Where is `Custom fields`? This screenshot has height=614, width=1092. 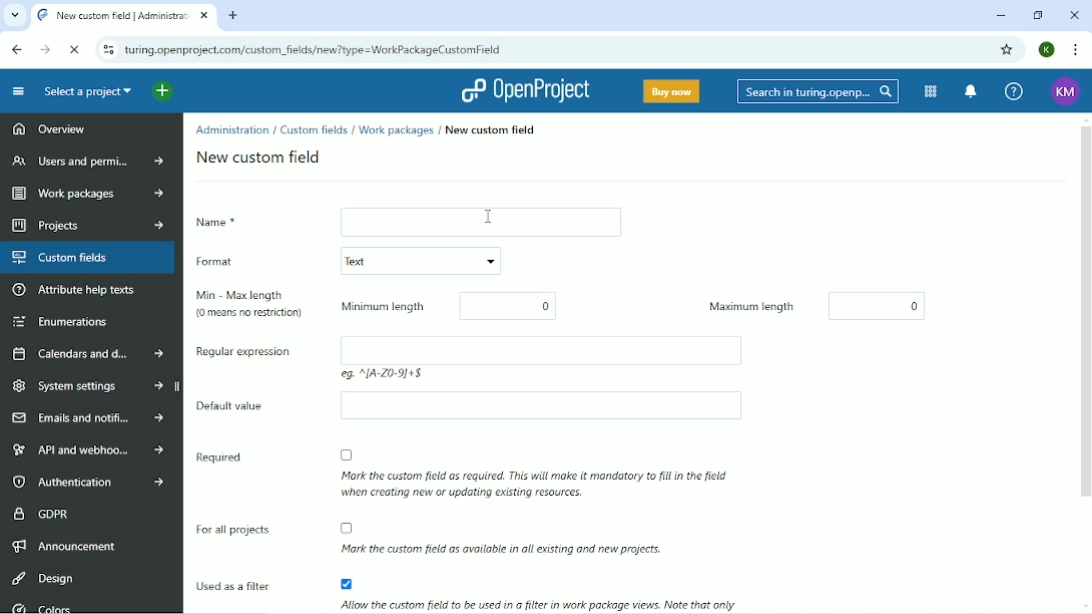 Custom fields is located at coordinates (89, 258).